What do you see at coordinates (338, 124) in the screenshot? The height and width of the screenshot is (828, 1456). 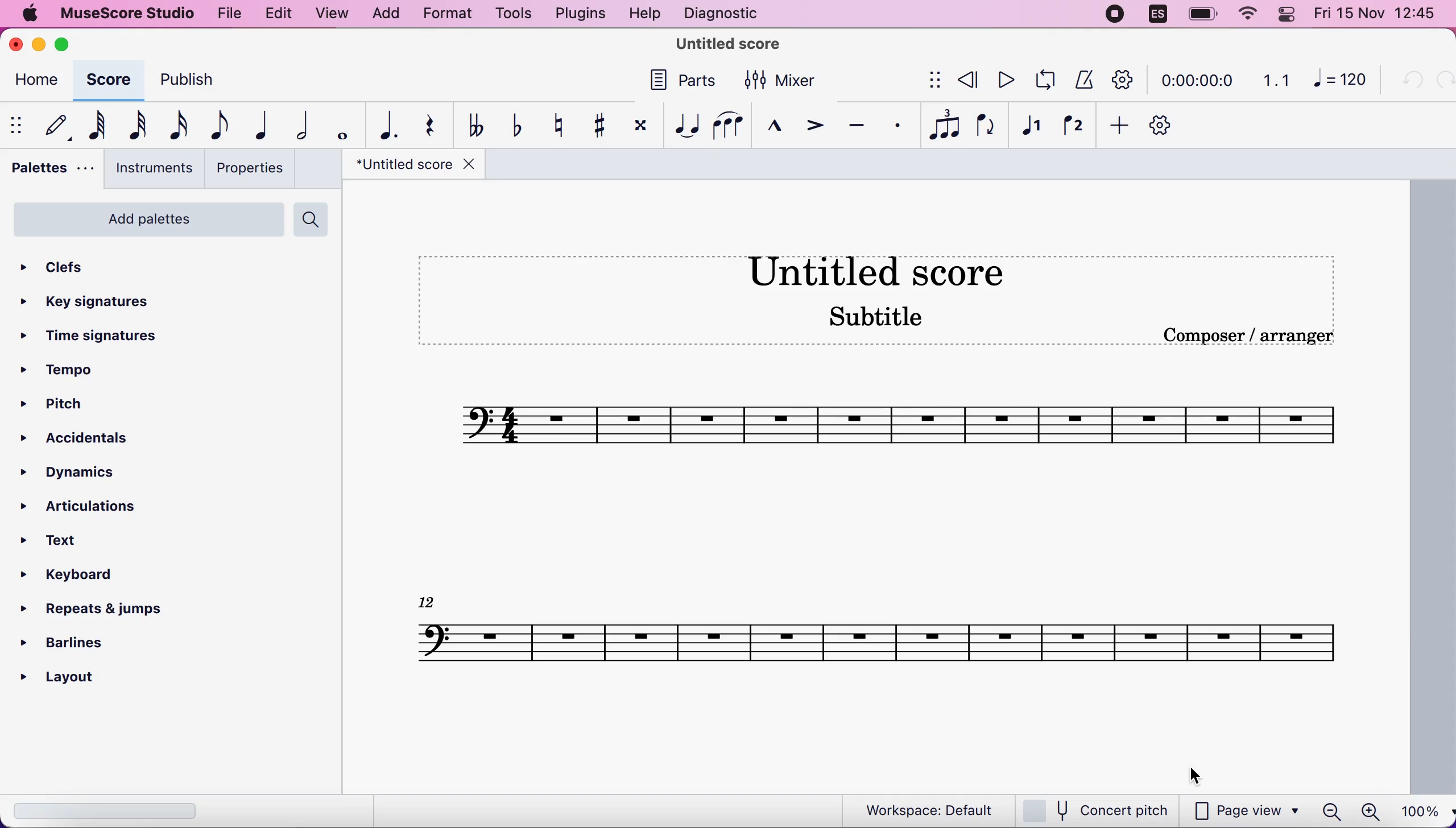 I see `whole note` at bounding box center [338, 124].